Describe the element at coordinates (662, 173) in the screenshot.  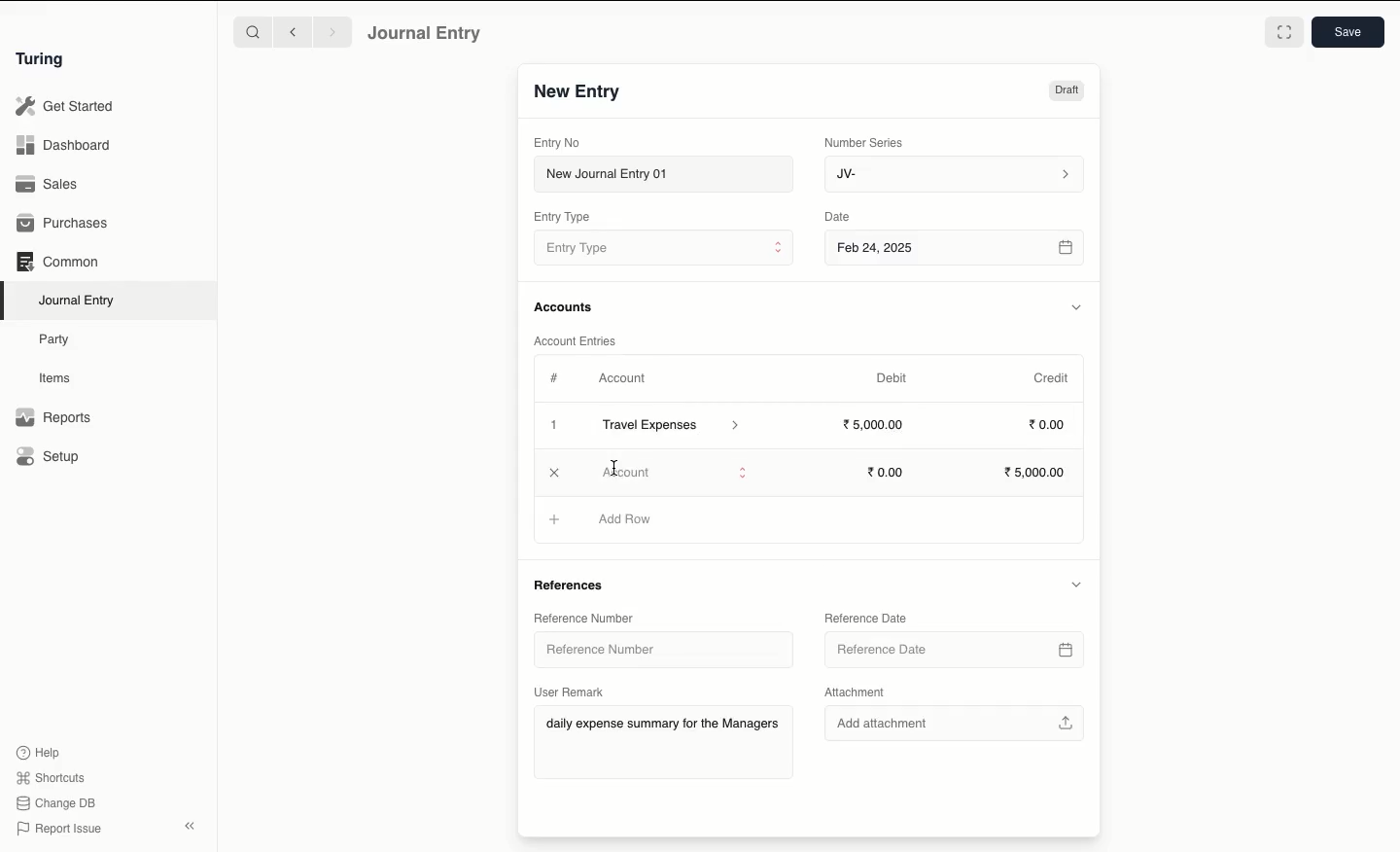
I see `New Journal Entry 01` at that location.